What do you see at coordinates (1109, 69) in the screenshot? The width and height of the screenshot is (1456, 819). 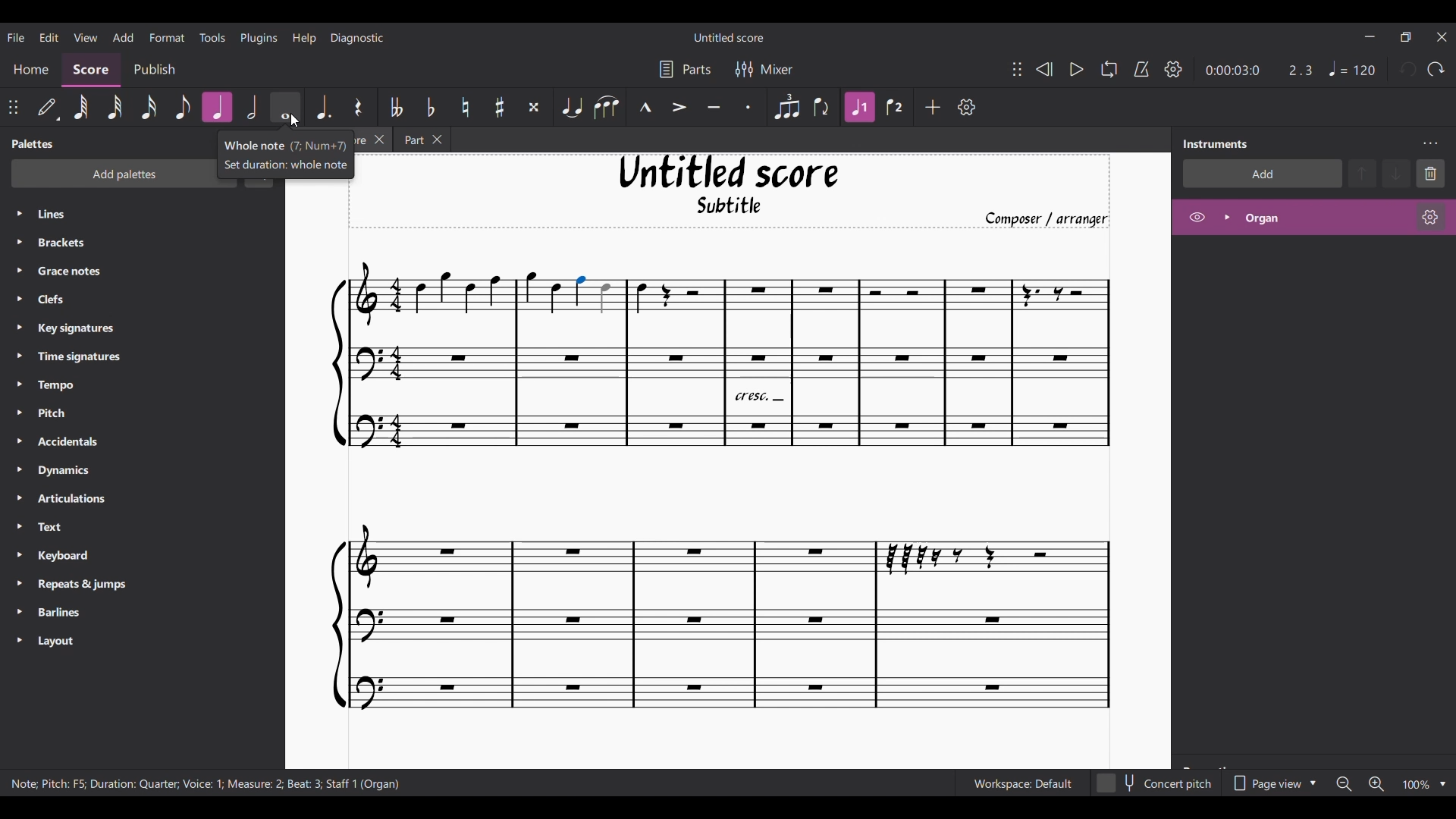 I see `Looping playback` at bounding box center [1109, 69].